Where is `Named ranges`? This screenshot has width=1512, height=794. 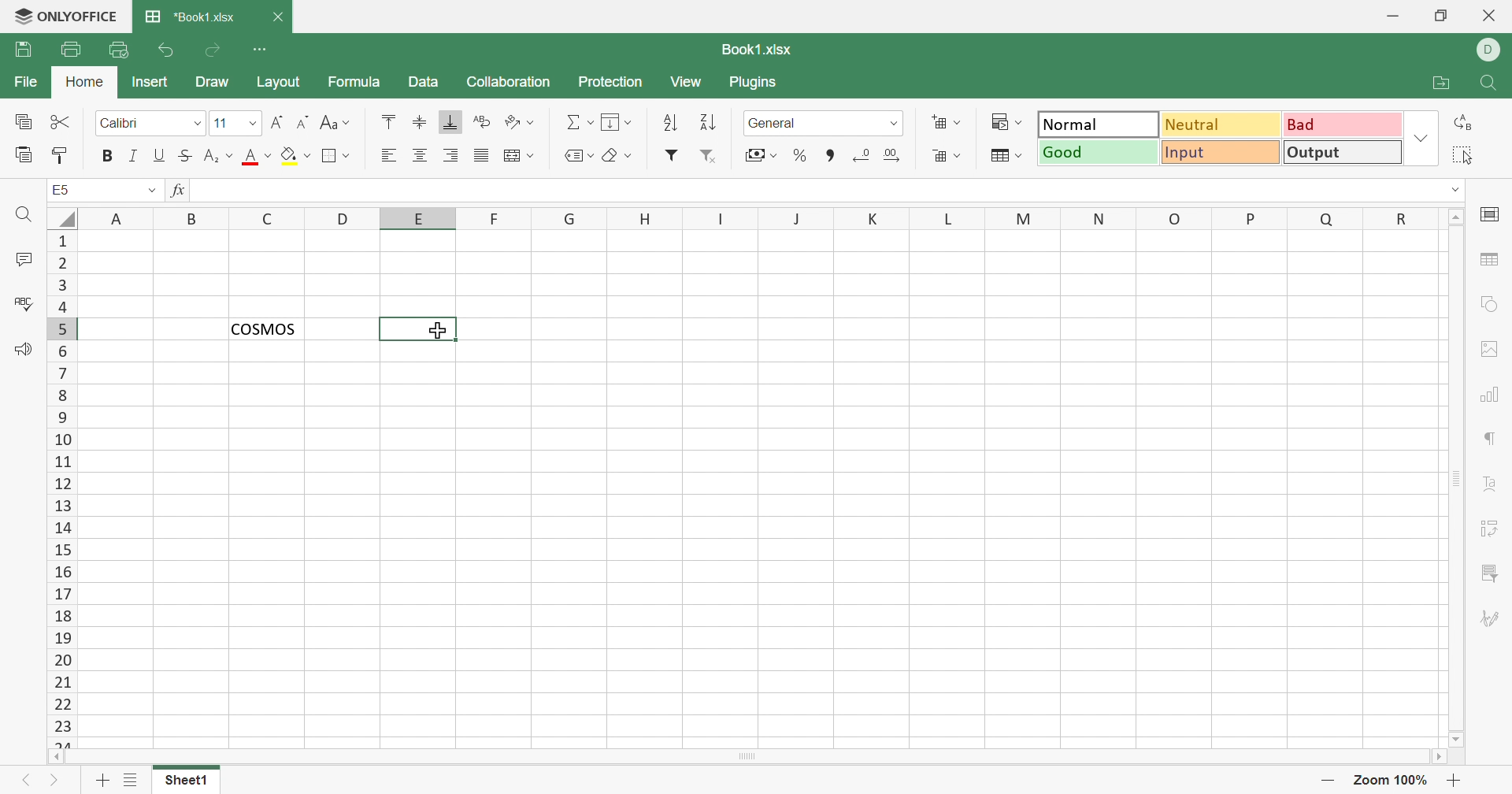
Named ranges is located at coordinates (582, 157).